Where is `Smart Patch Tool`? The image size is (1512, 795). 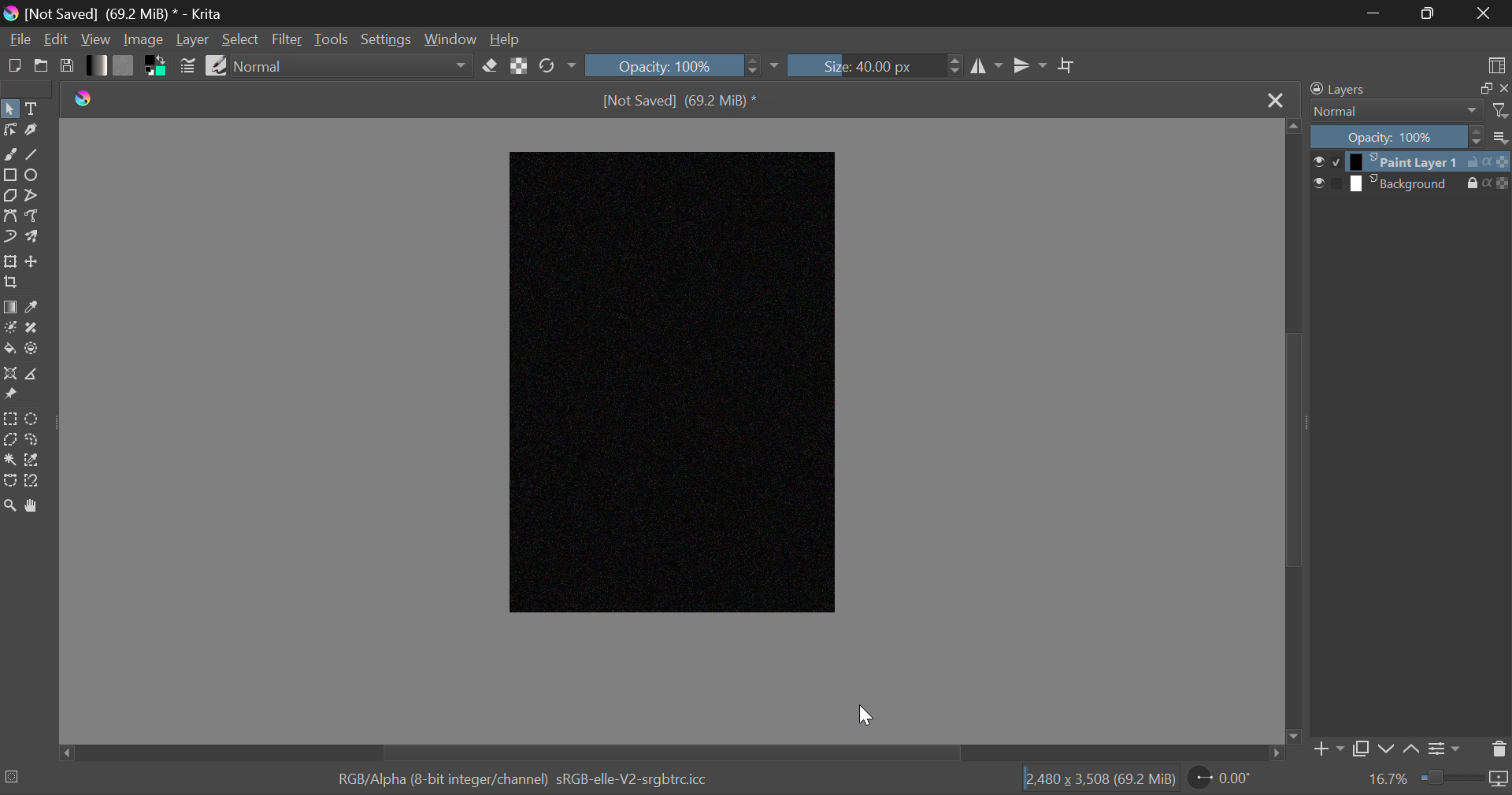 Smart Patch Tool is located at coordinates (34, 329).